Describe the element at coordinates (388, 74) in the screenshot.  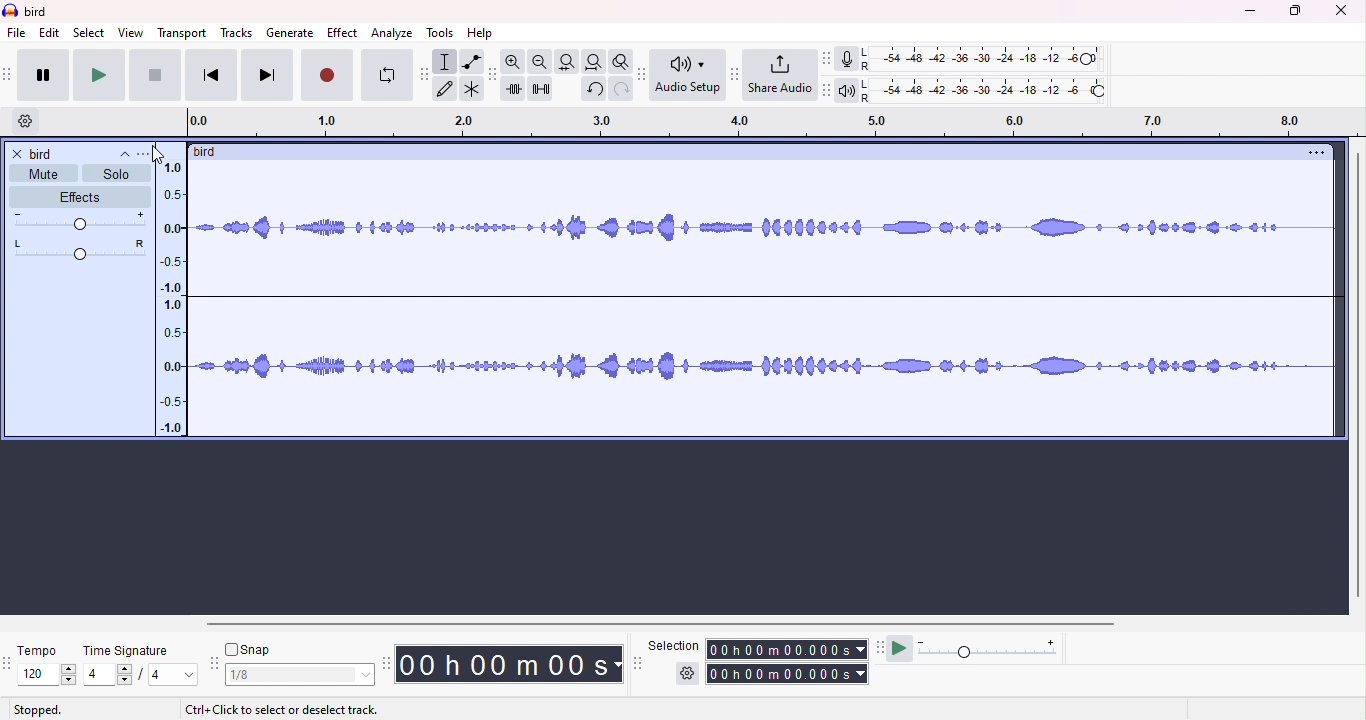
I see `loop` at that location.